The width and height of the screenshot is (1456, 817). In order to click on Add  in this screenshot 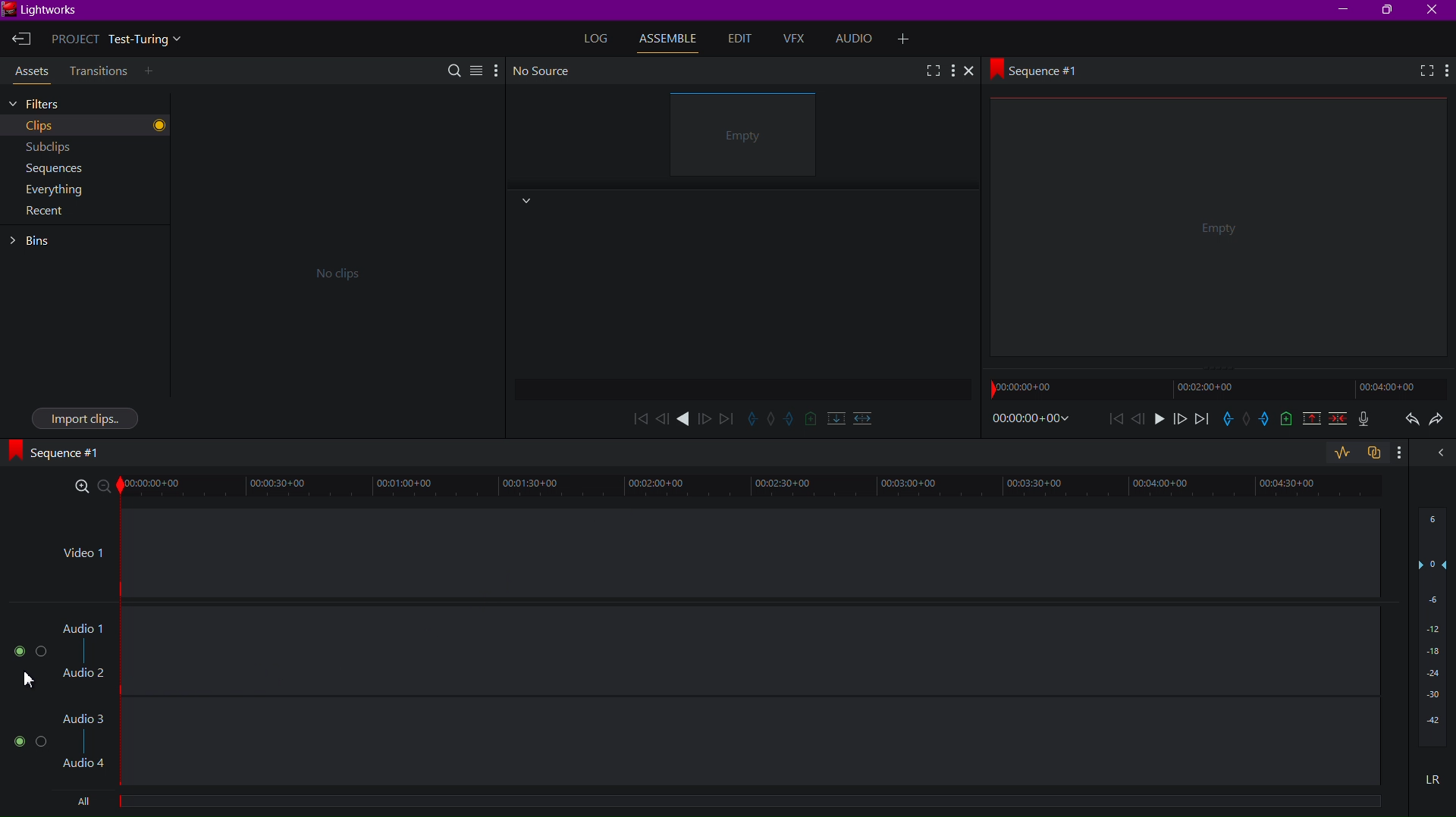, I will do `click(908, 37)`.